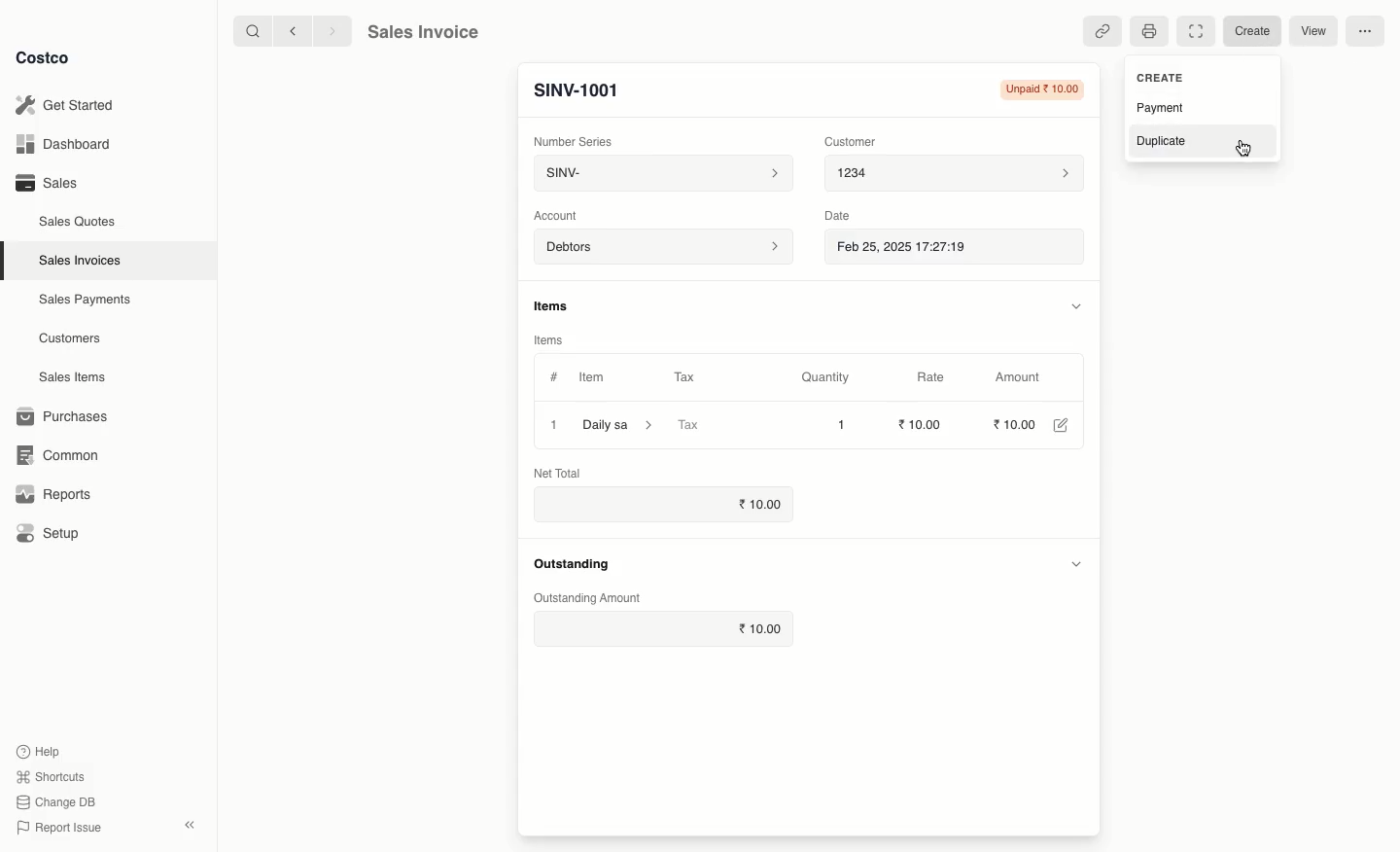  I want to click on 10.00, so click(1012, 424).